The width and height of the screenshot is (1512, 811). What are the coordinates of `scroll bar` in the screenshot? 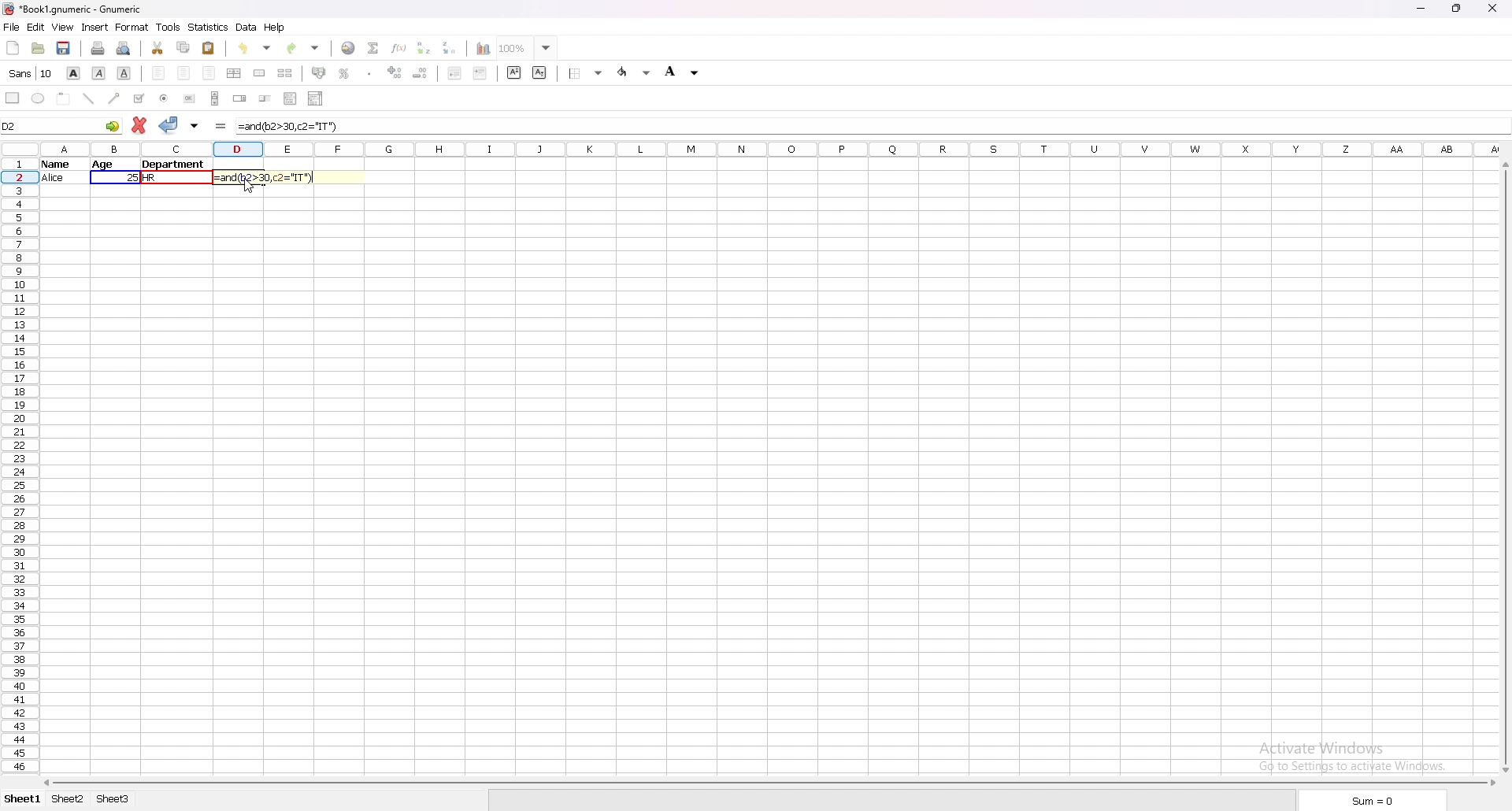 It's located at (1504, 468).